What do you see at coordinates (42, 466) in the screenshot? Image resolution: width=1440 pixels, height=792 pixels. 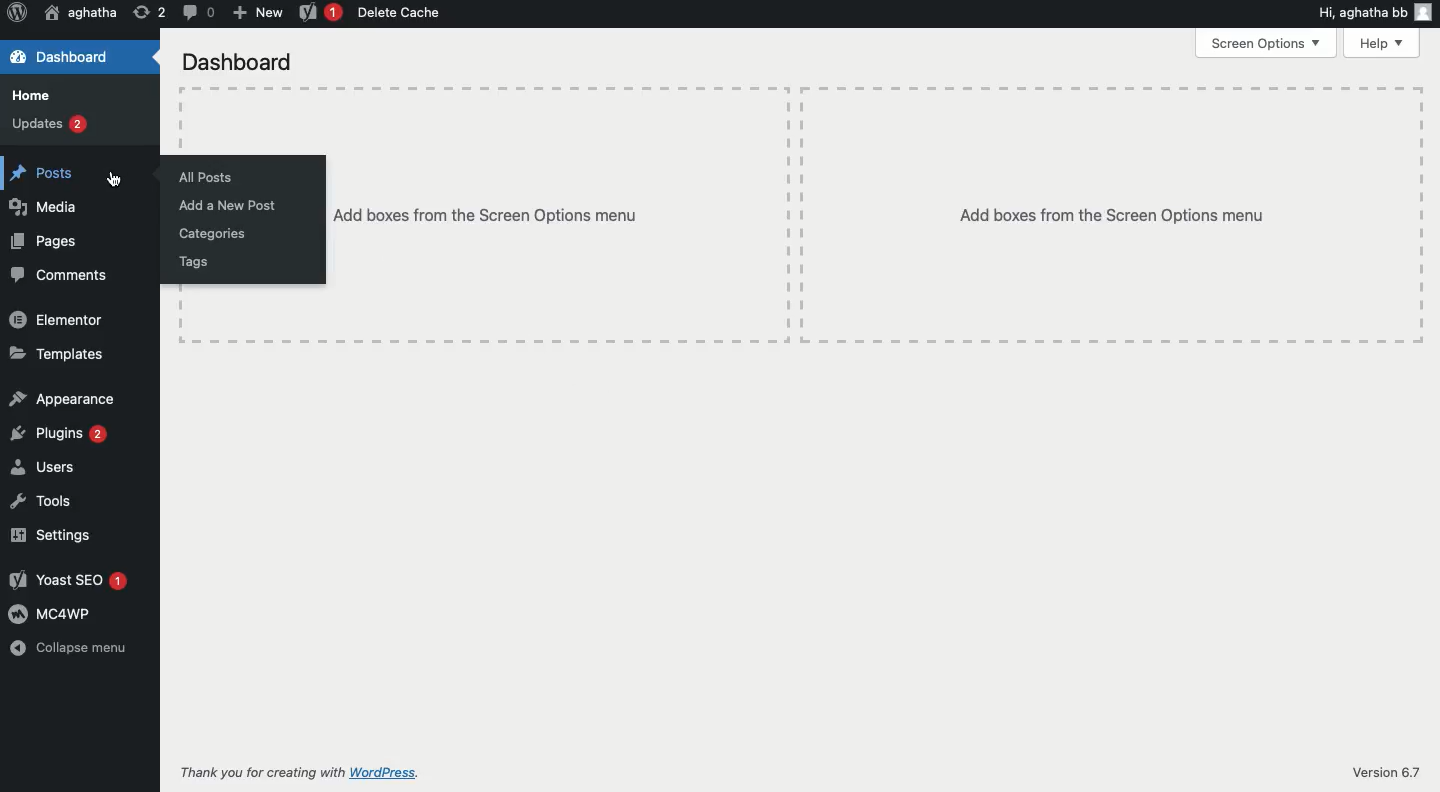 I see `Users` at bounding box center [42, 466].